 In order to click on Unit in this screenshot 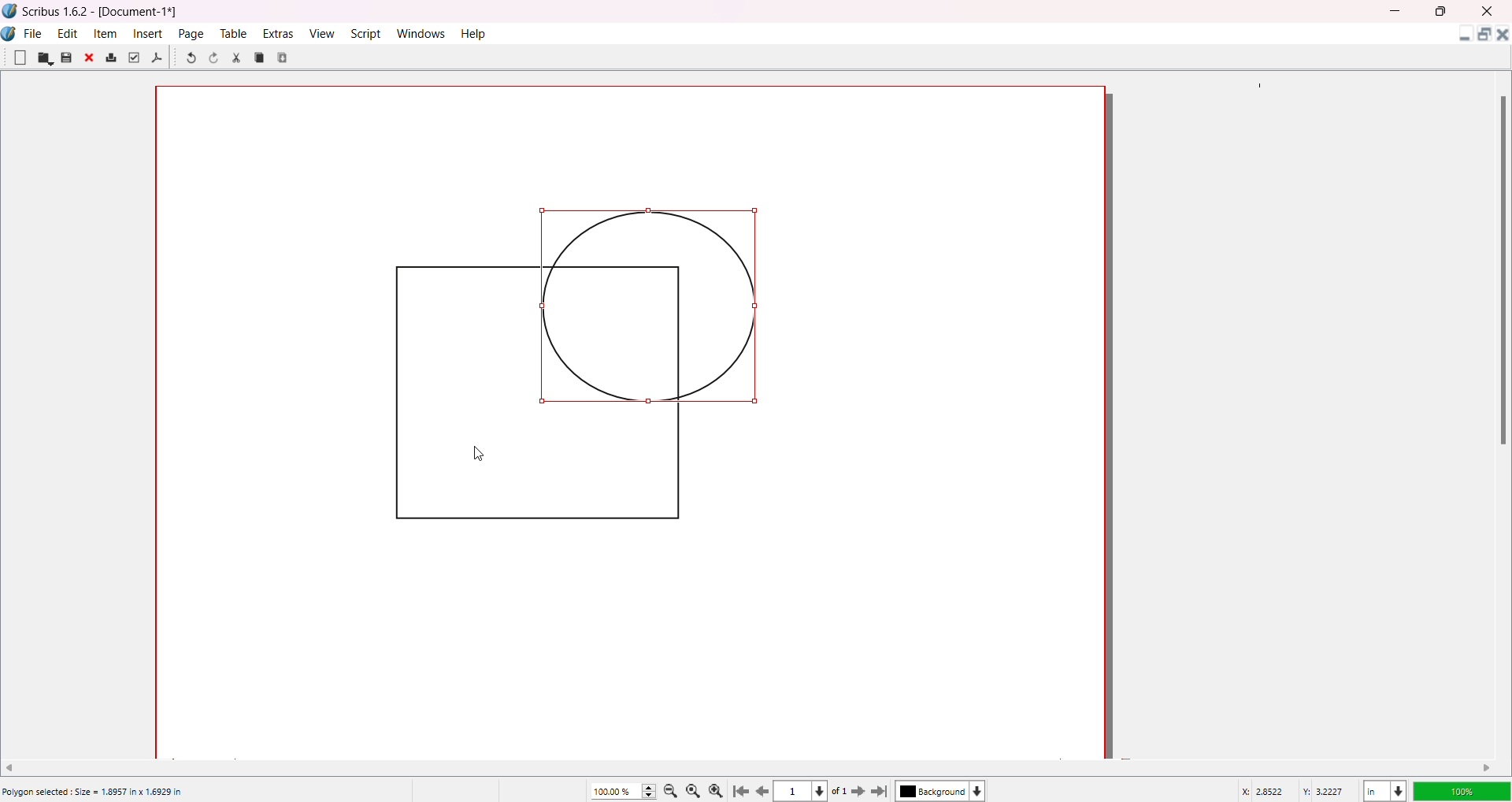, I will do `click(1384, 789)`.